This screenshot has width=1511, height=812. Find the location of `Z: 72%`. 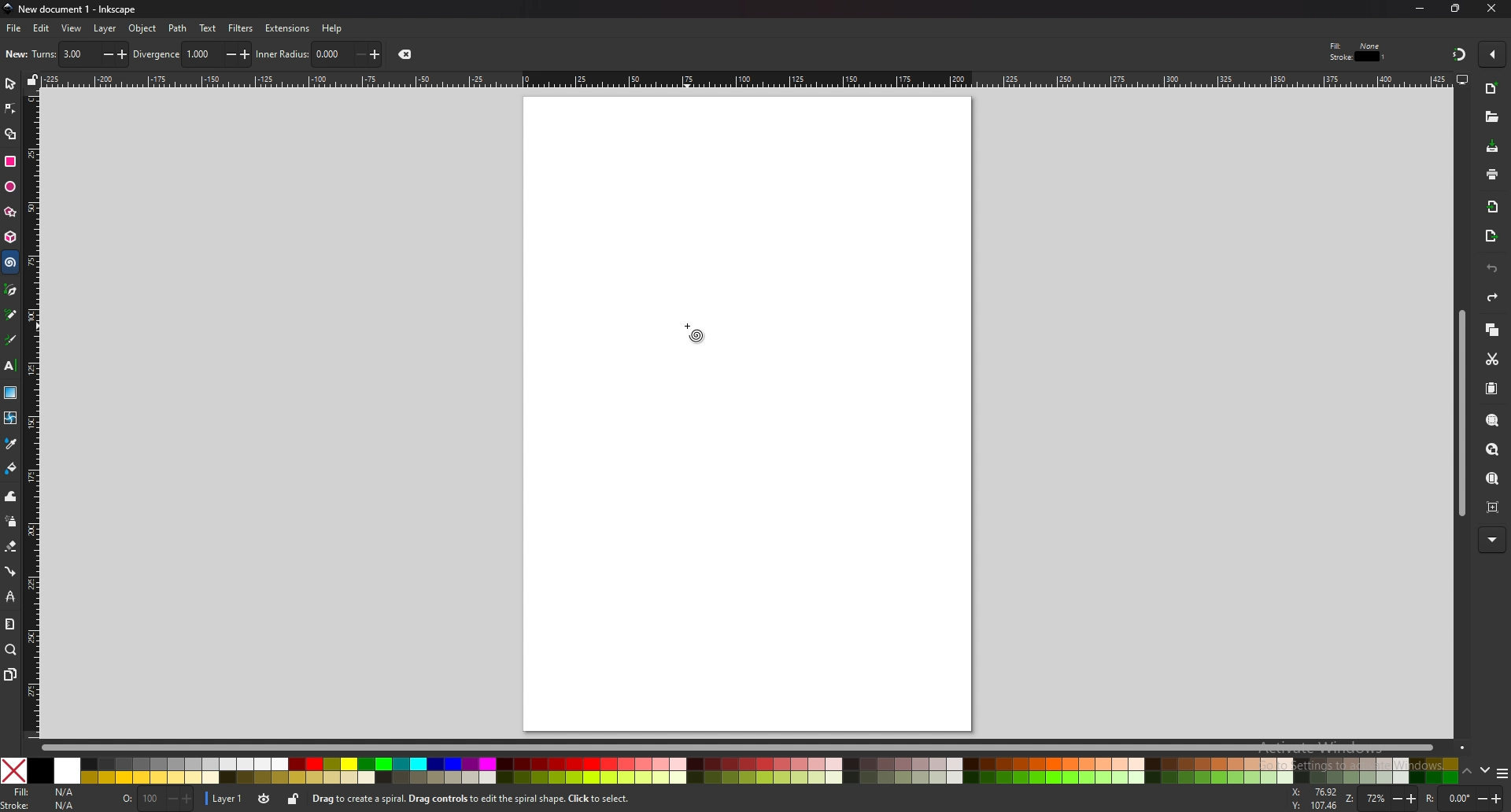

Z: 72% is located at coordinates (1381, 799).